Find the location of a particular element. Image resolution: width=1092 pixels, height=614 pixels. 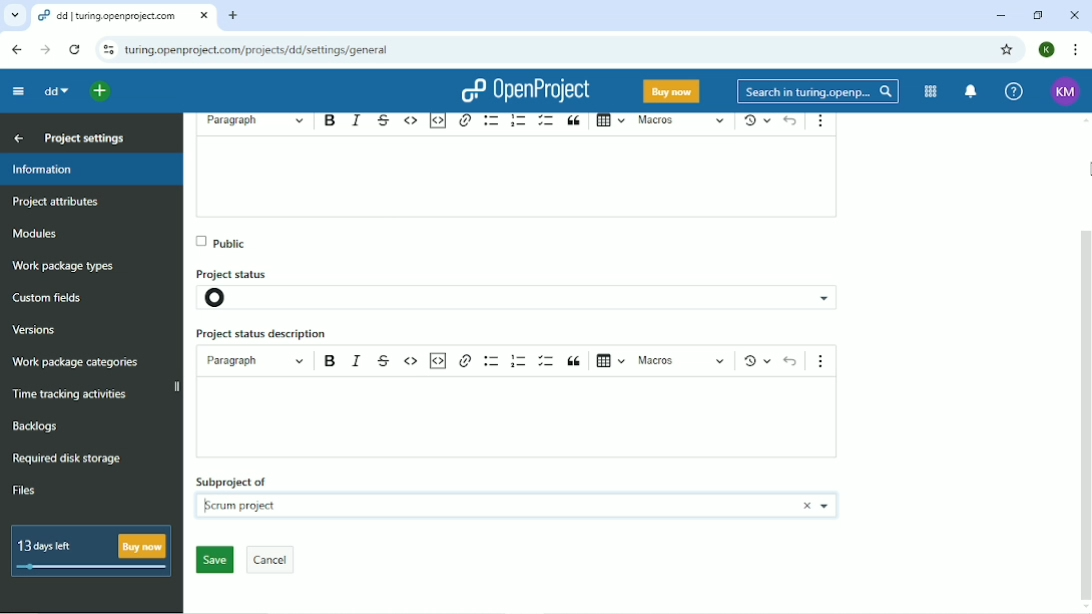

Files is located at coordinates (25, 491).